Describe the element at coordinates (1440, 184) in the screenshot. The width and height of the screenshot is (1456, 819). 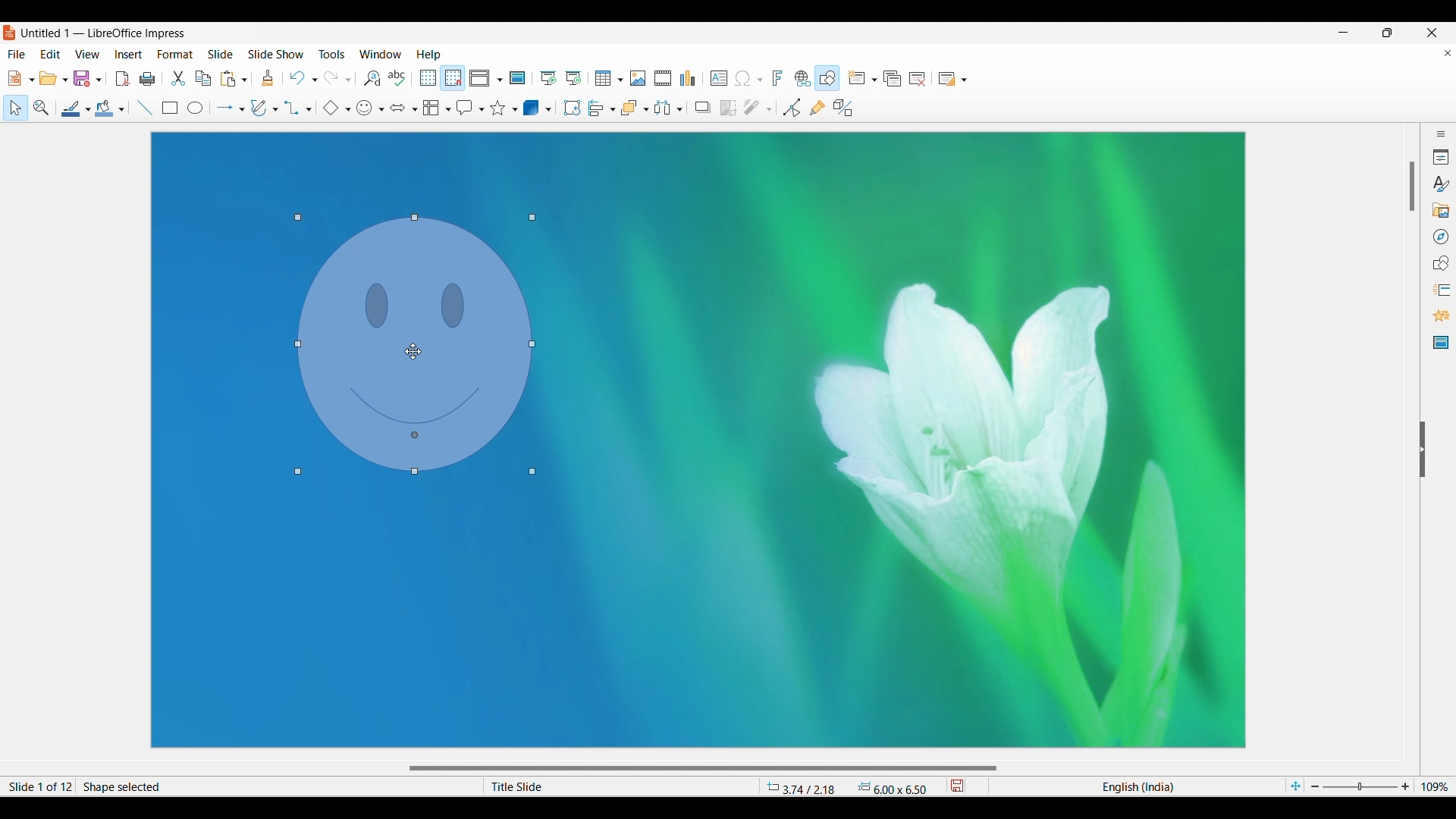
I see `Styles` at that location.